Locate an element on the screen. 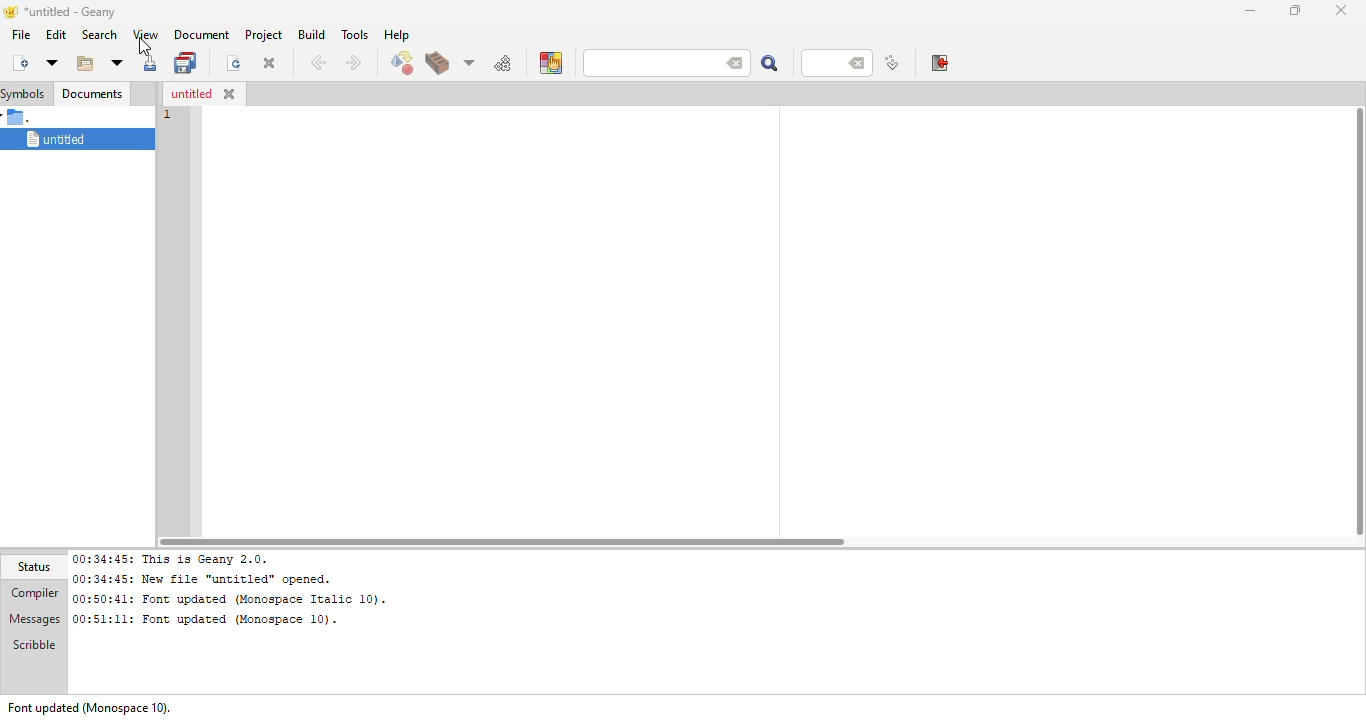 This screenshot has width=1366, height=720. status is located at coordinates (32, 567).